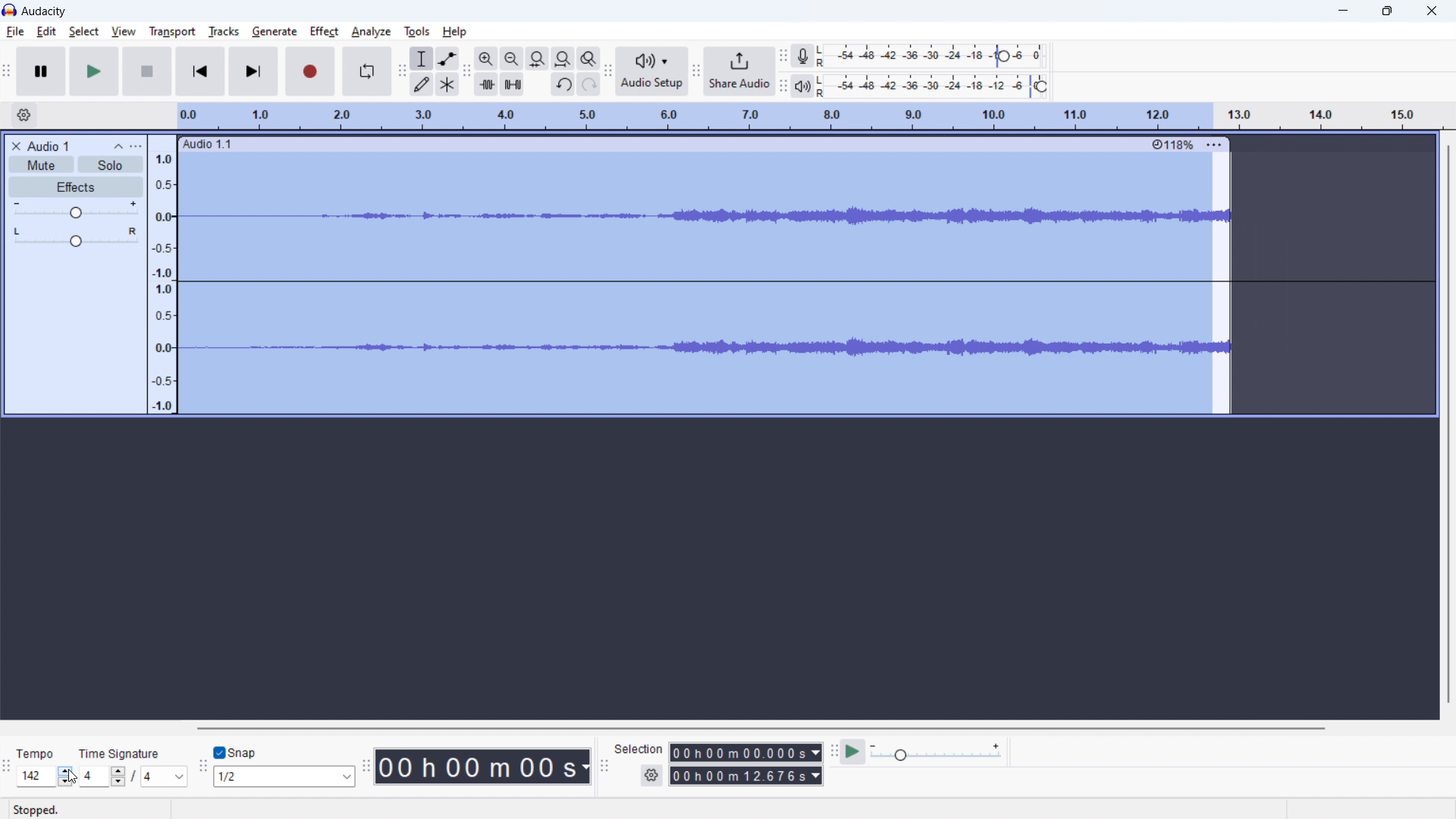 This screenshot has width=1456, height=819. Describe the element at coordinates (132, 777) in the screenshot. I see `set time signature` at that location.